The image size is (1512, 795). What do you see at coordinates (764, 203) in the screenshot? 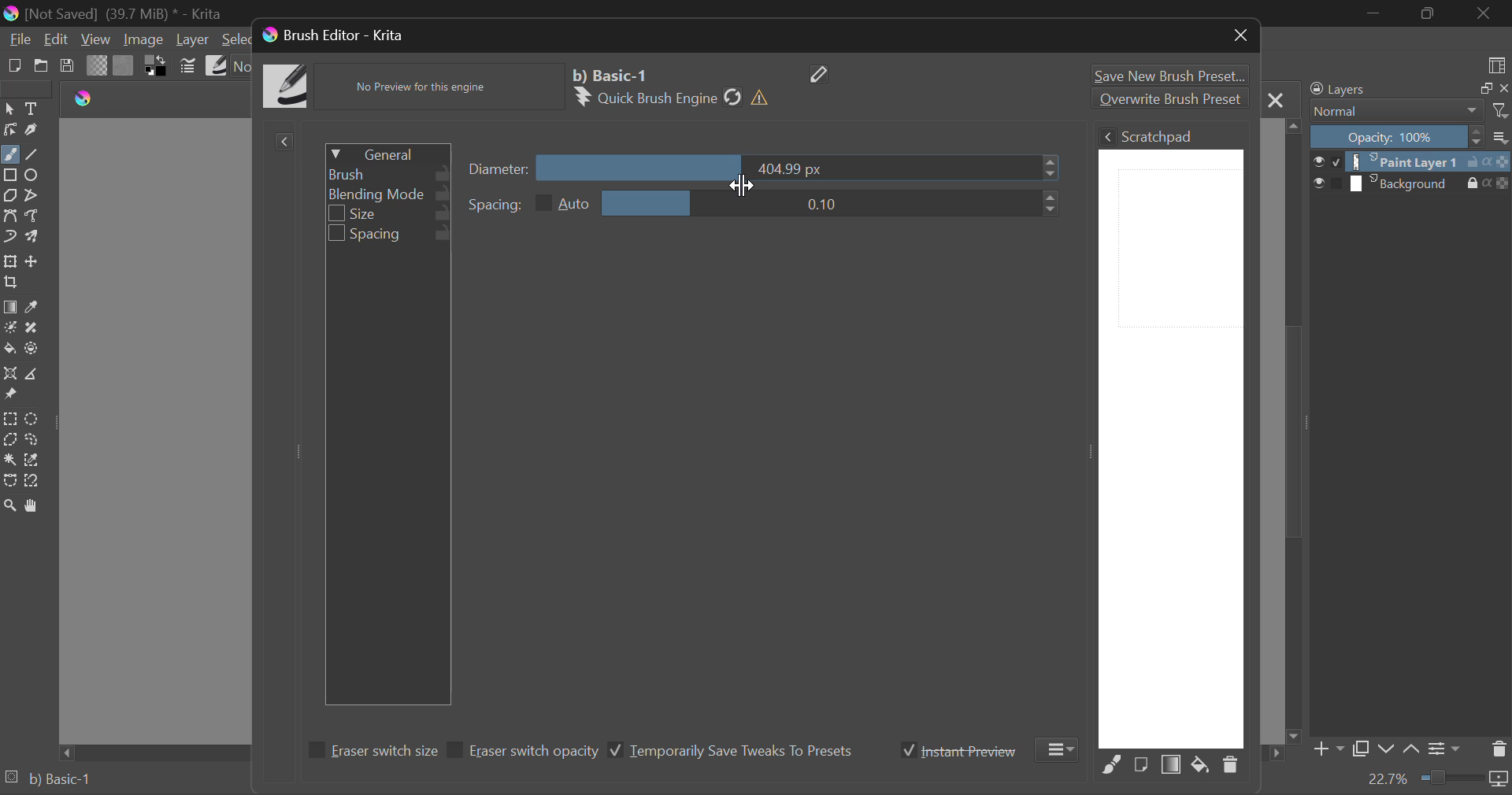
I see `Spacing` at bounding box center [764, 203].